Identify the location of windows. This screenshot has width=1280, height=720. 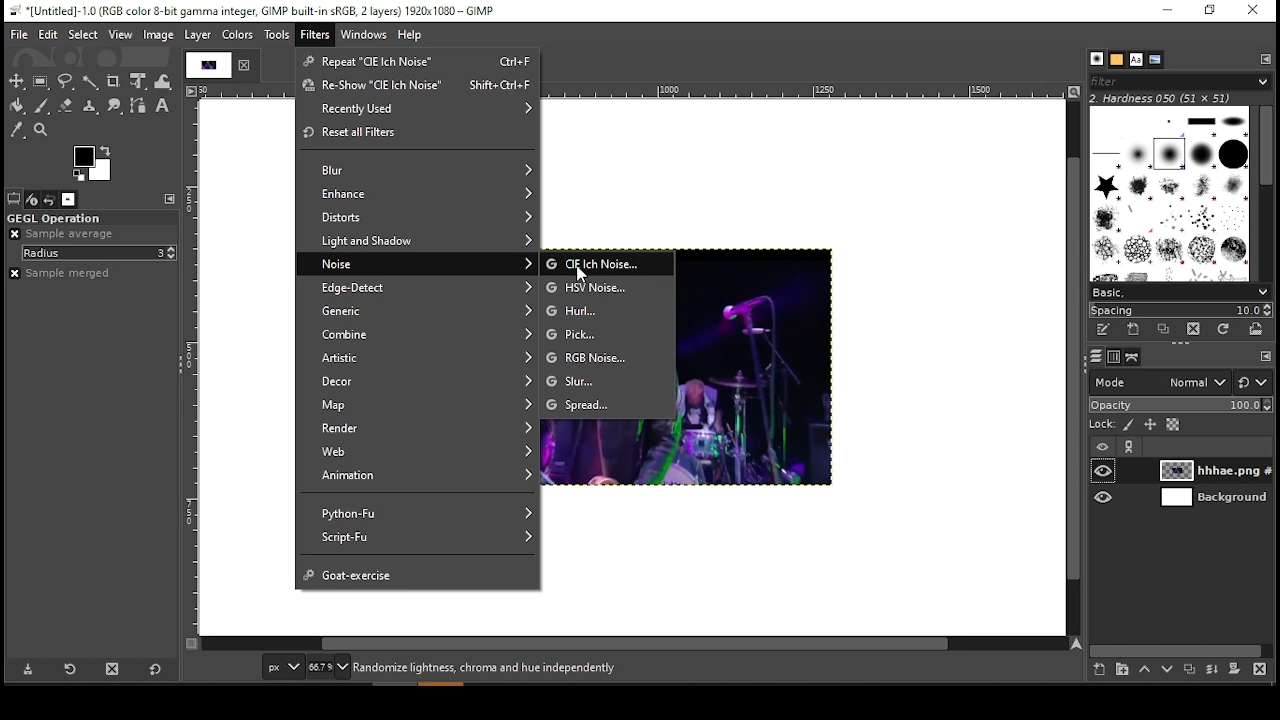
(365, 34).